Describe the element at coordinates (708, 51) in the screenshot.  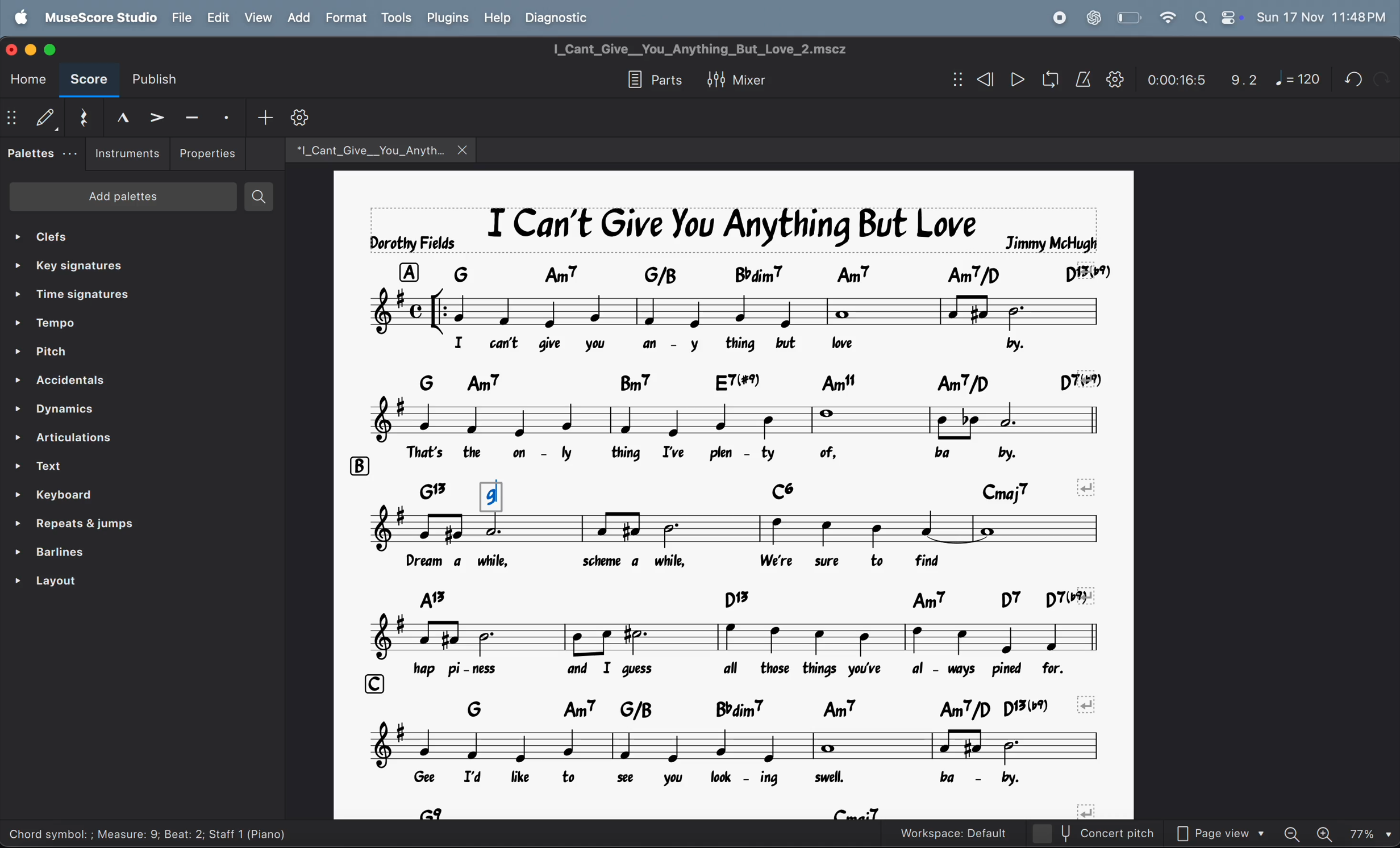
I see `title` at that location.